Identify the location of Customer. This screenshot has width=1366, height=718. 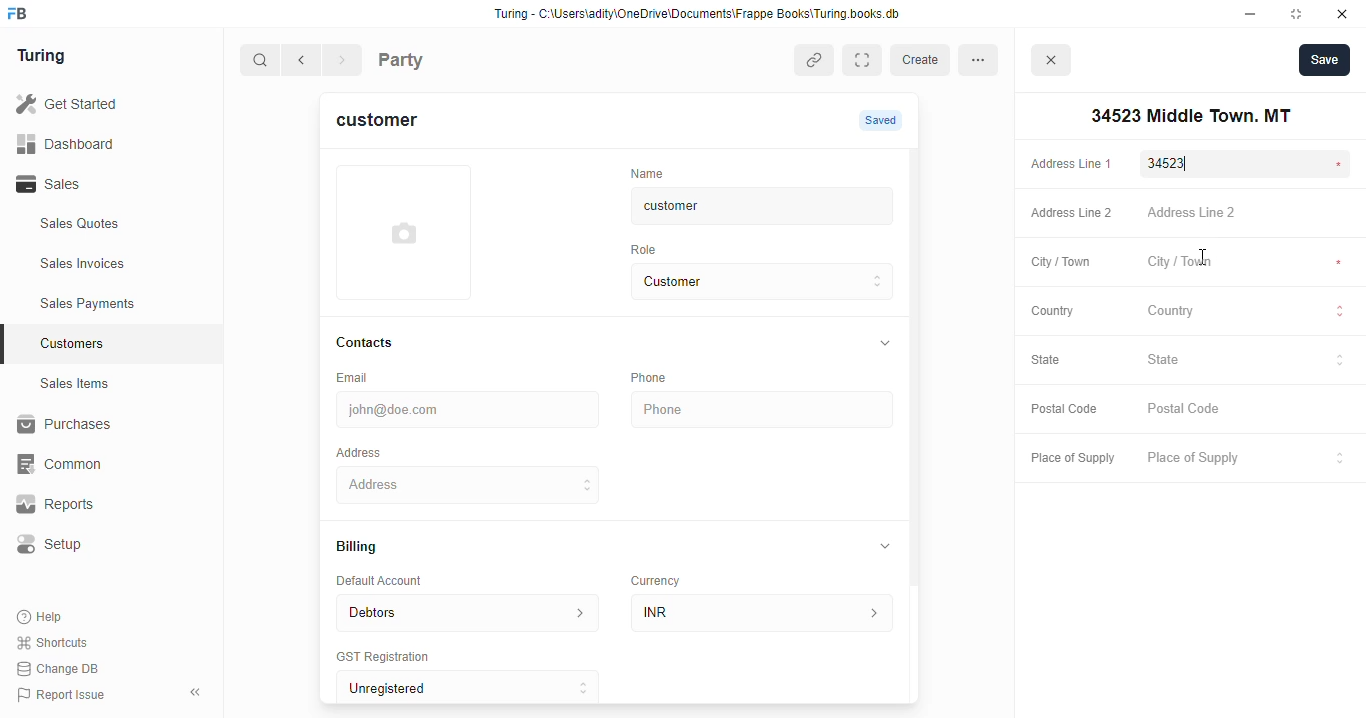
(746, 282).